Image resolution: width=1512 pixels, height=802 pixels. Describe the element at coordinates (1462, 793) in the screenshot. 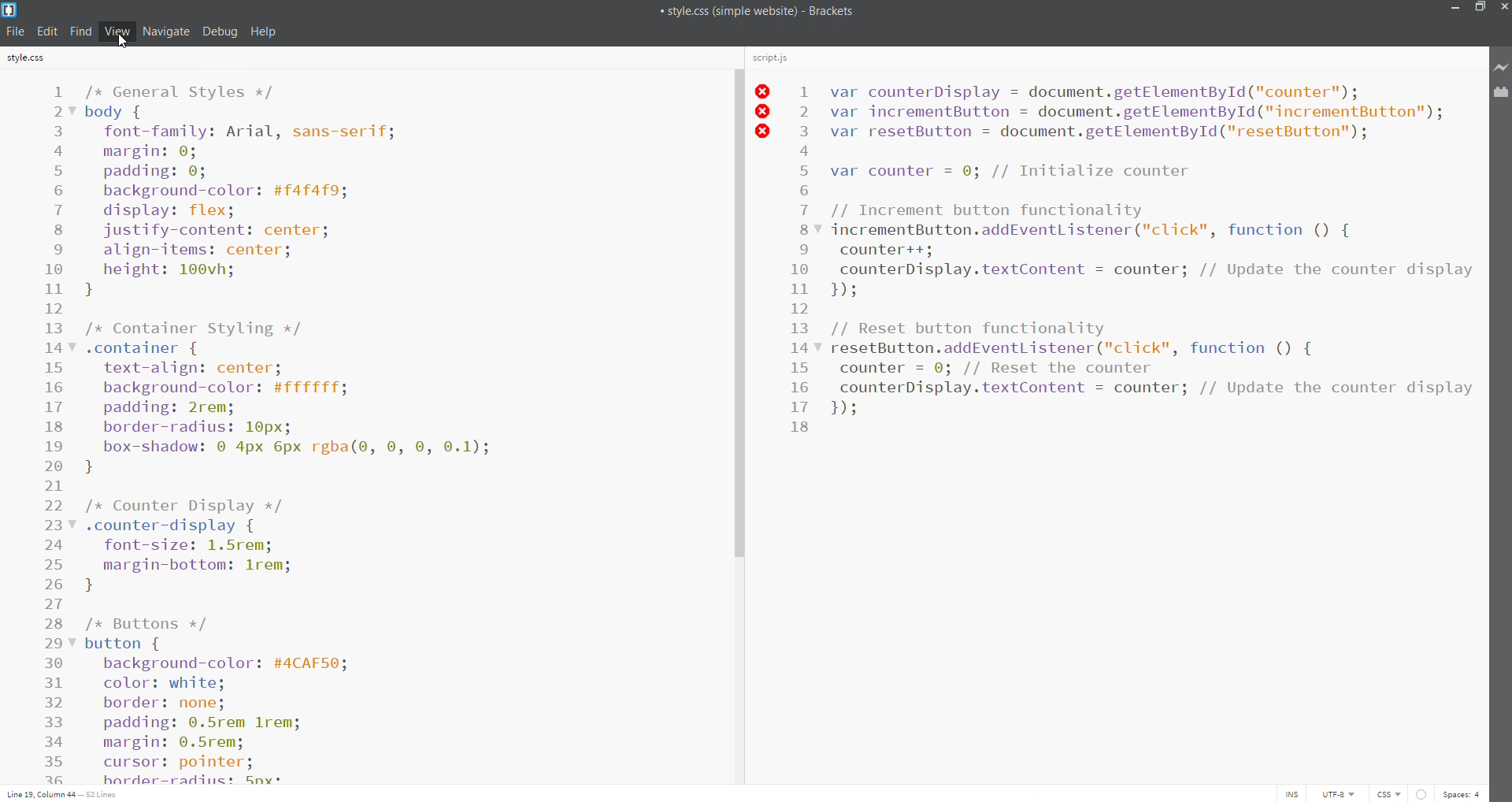

I see `space count` at that location.